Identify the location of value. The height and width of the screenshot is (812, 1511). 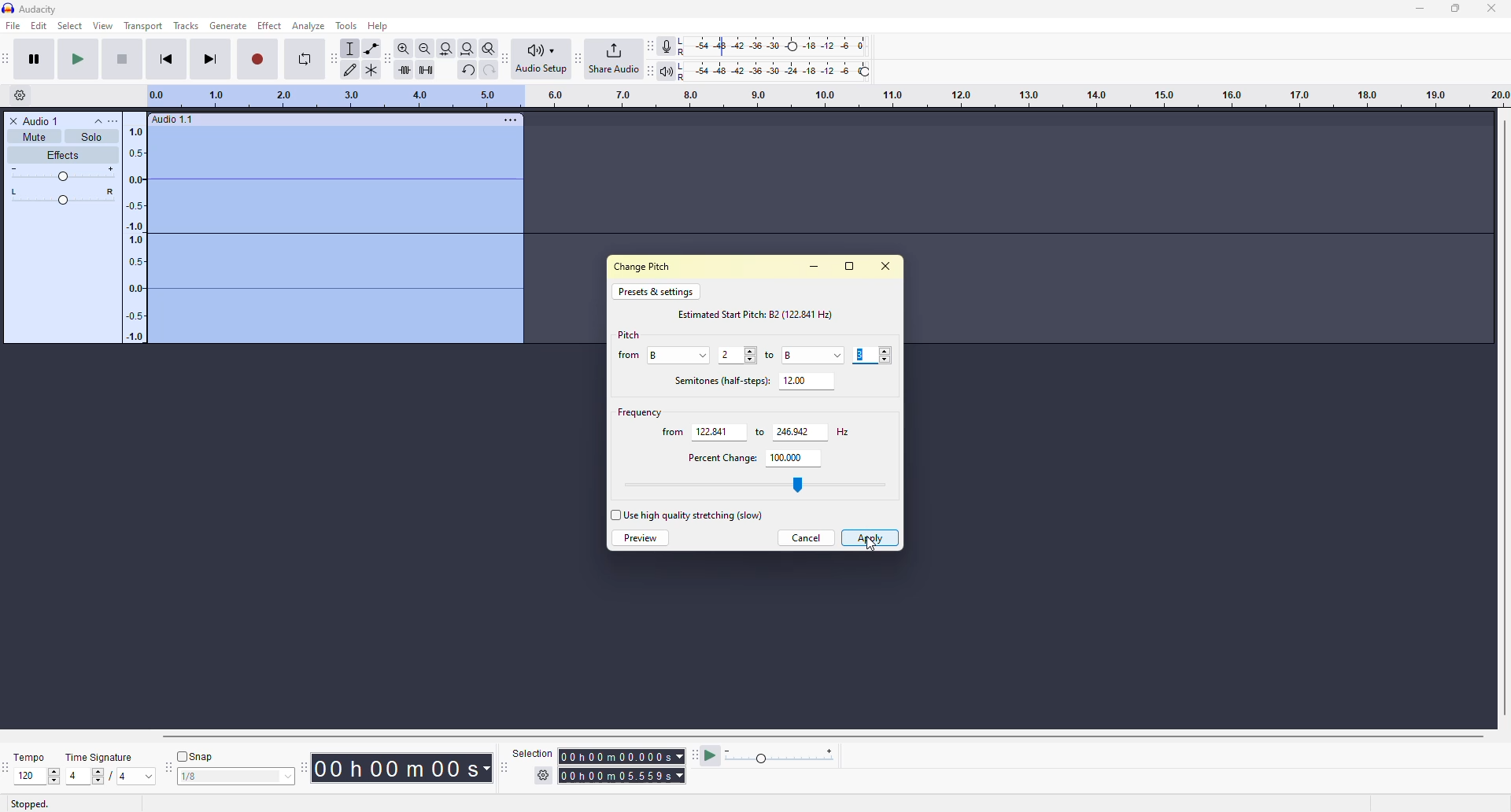
(711, 430).